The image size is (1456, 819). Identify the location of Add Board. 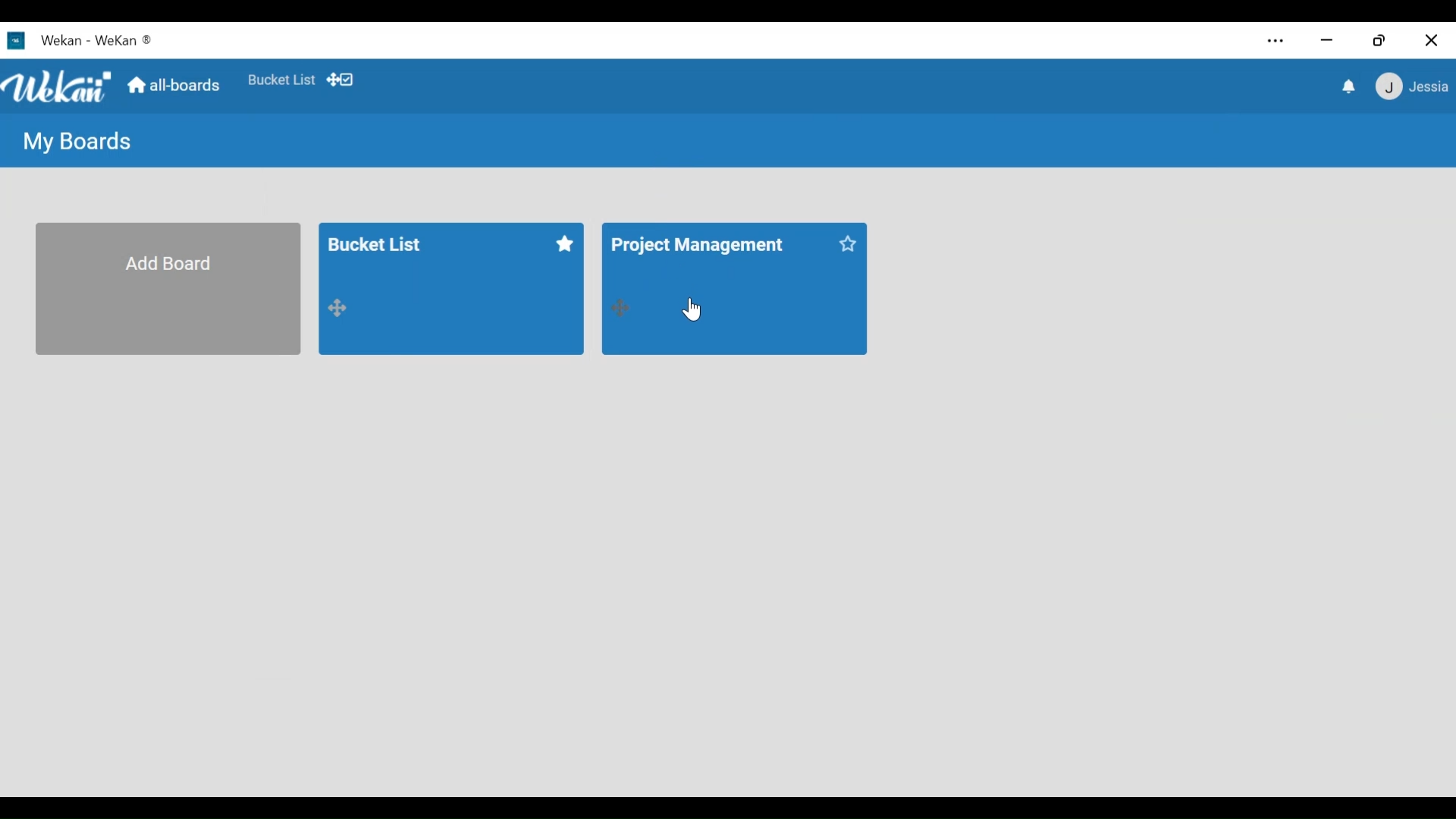
(166, 287).